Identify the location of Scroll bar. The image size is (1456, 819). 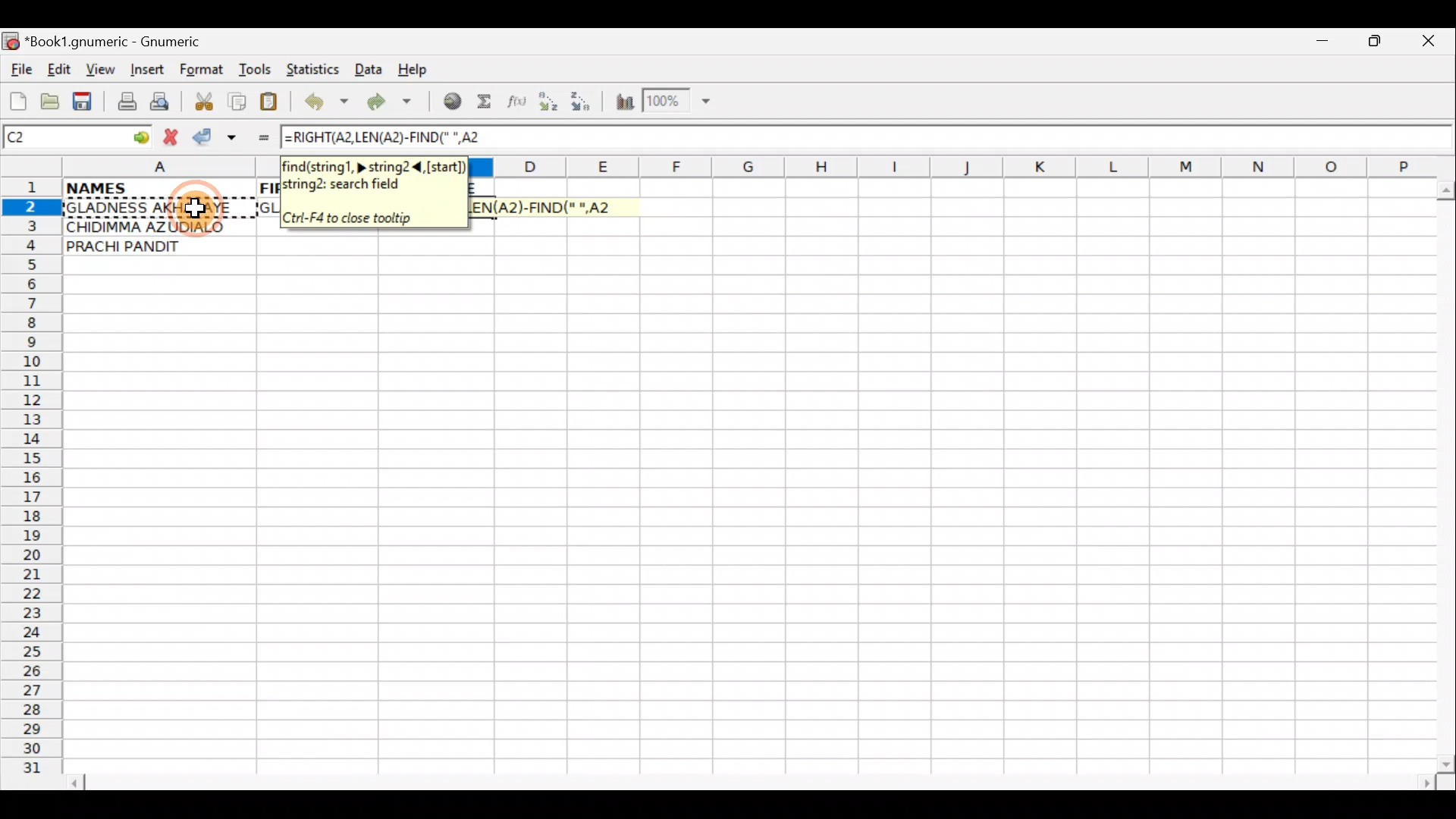
(754, 780).